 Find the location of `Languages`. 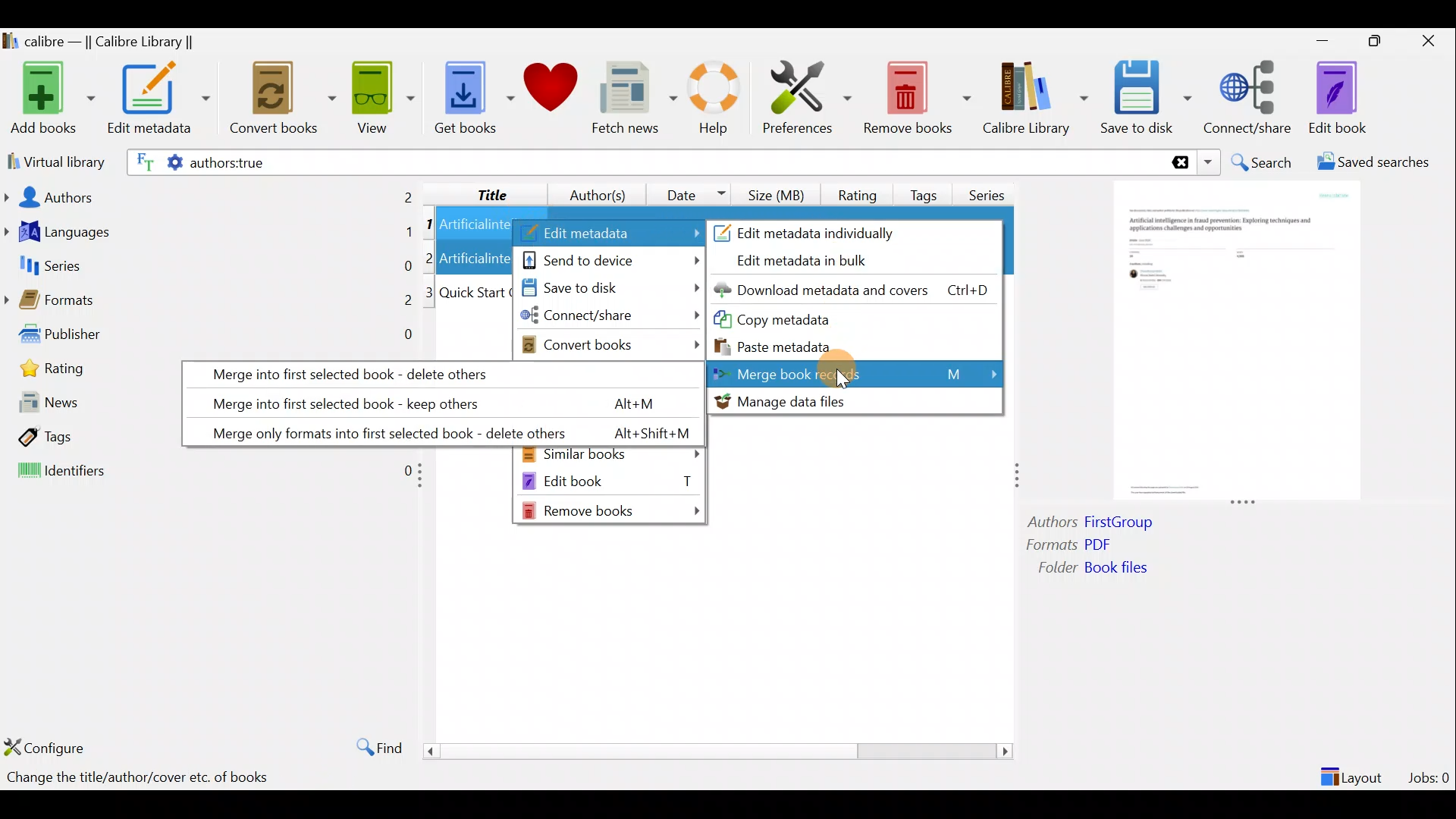

Languages is located at coordinates (209, 234).